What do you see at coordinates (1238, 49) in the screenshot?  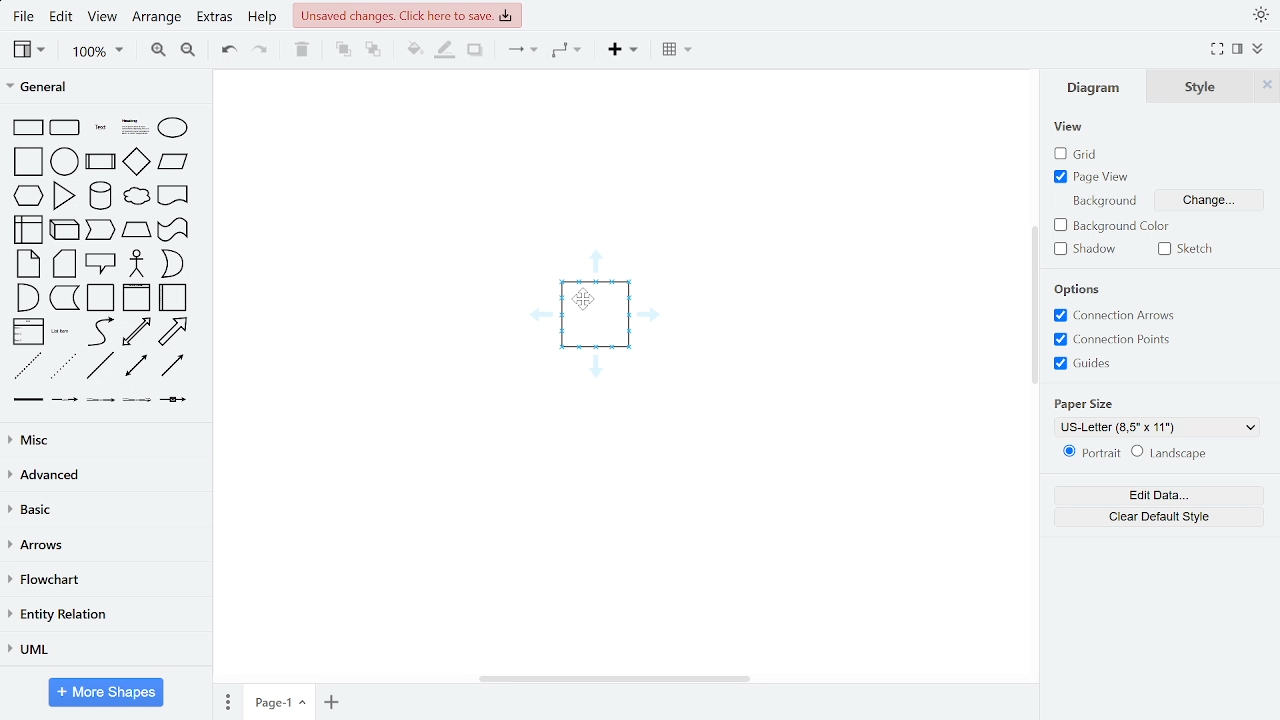 I see `format` at bounding box center [1238, 49].